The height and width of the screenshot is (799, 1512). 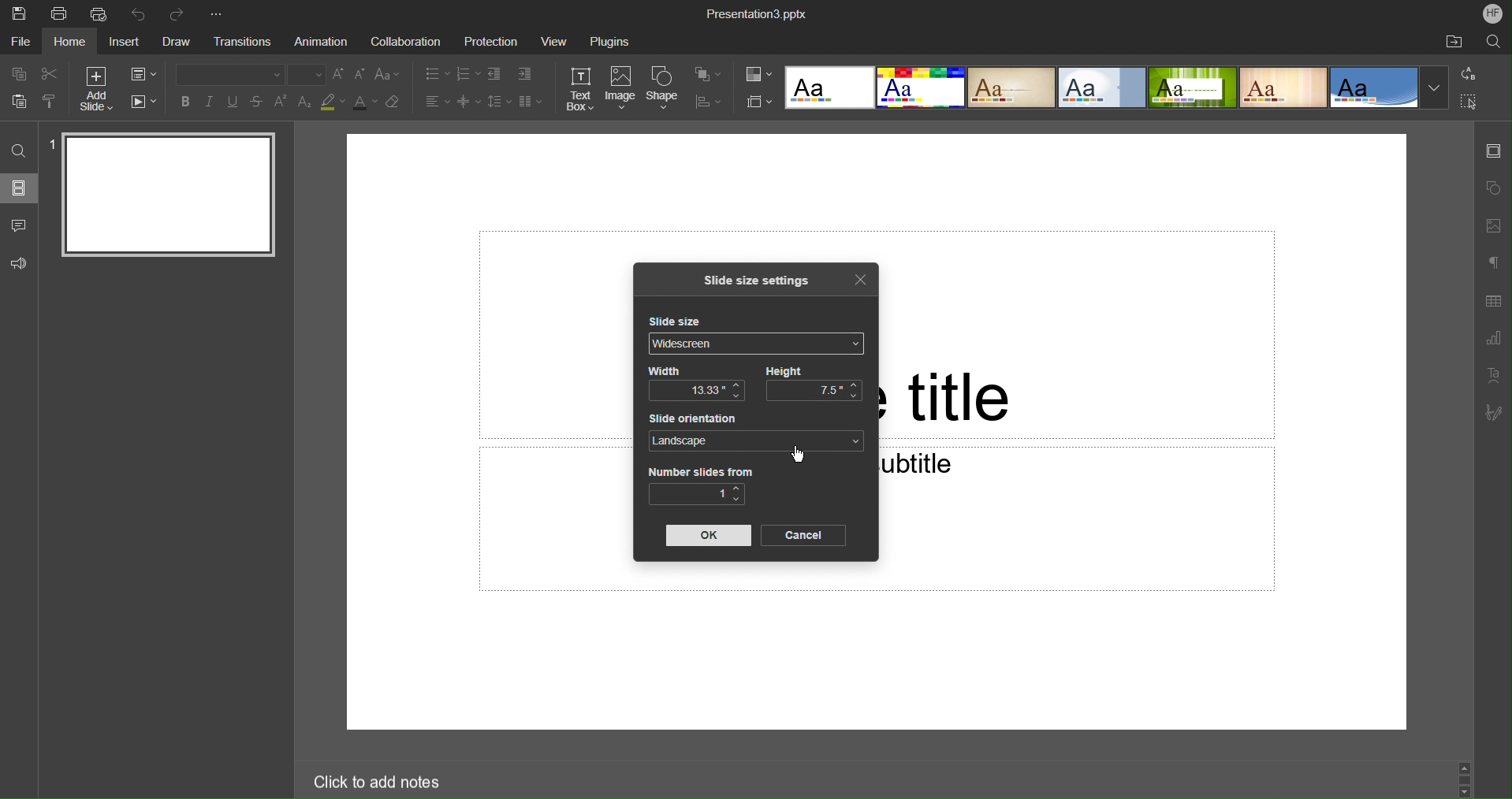 I want to click on Open File Location, so click(x=1453, y=43).